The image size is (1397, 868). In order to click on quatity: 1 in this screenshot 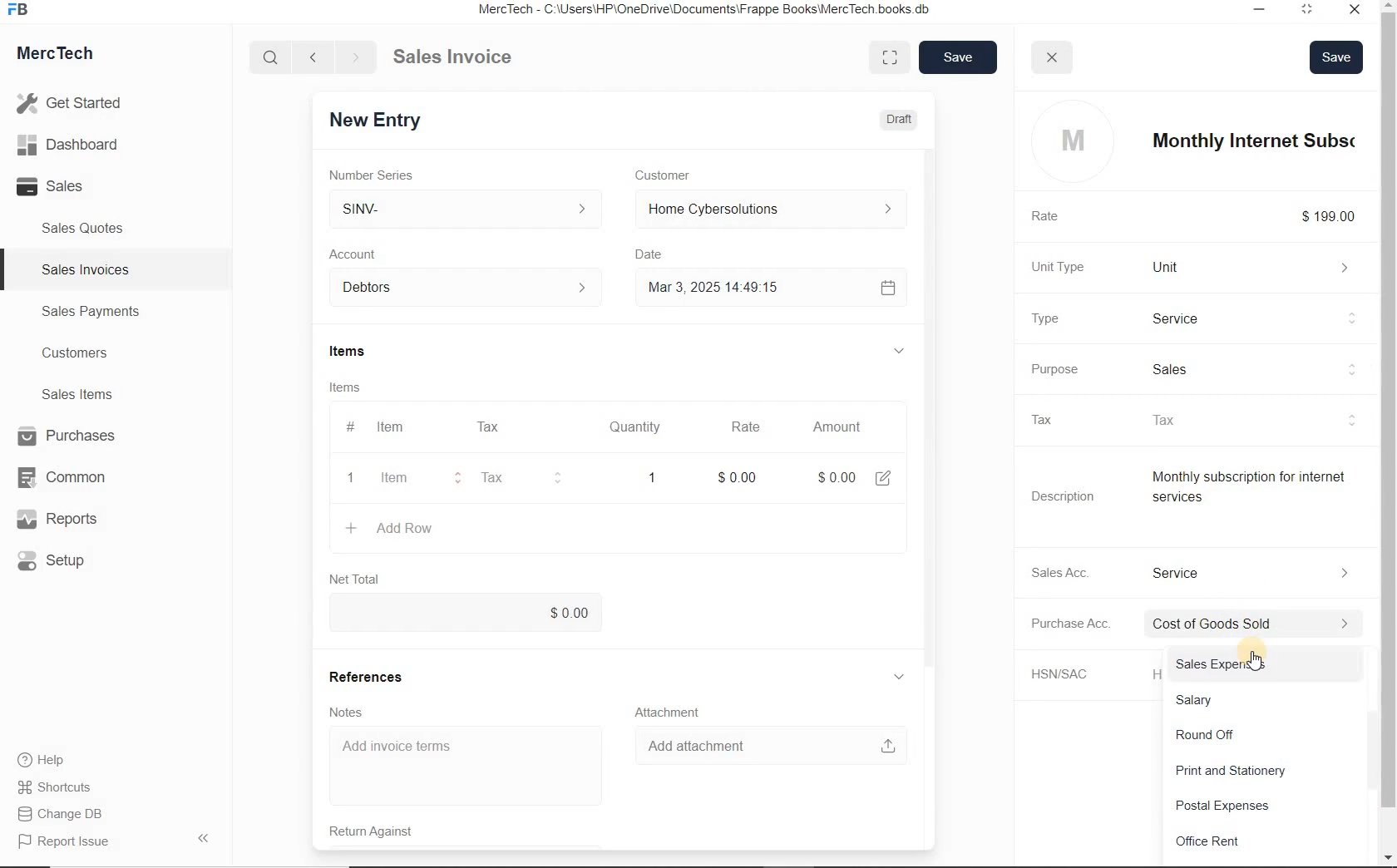, I will do `click(652, 476)`.